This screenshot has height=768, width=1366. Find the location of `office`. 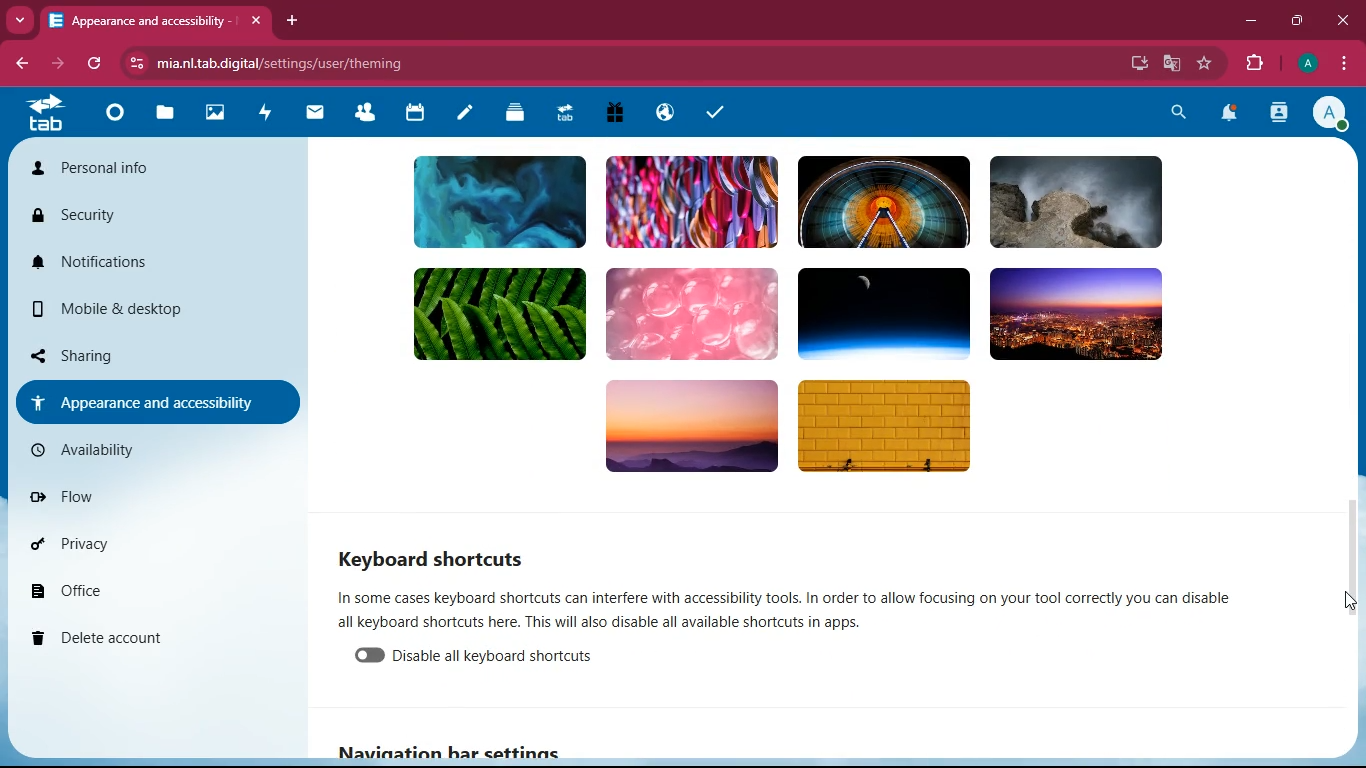

office is located at coordinates (167, 593).